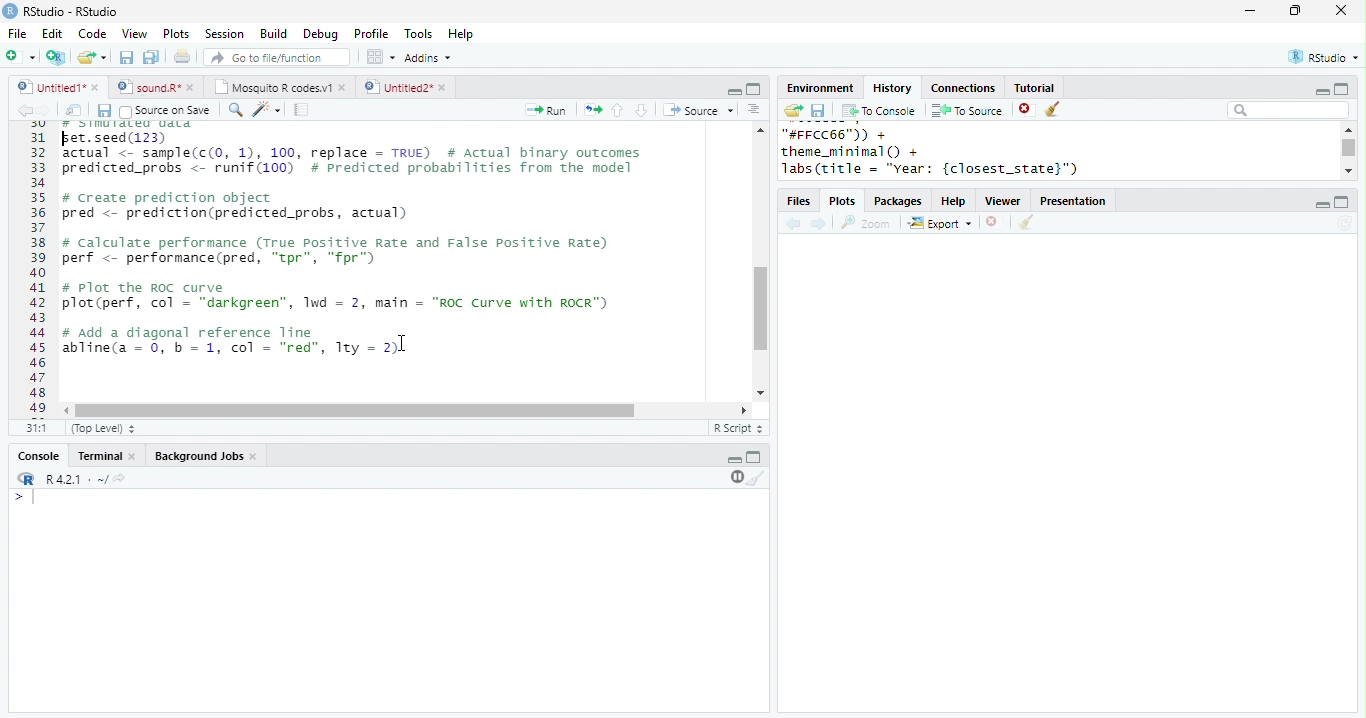 The width and height of the screenshot is (1366, 718). What do you see at coordinates (941, 224) in the screenshot?
I see `Export` at bounding box center [941, 224].